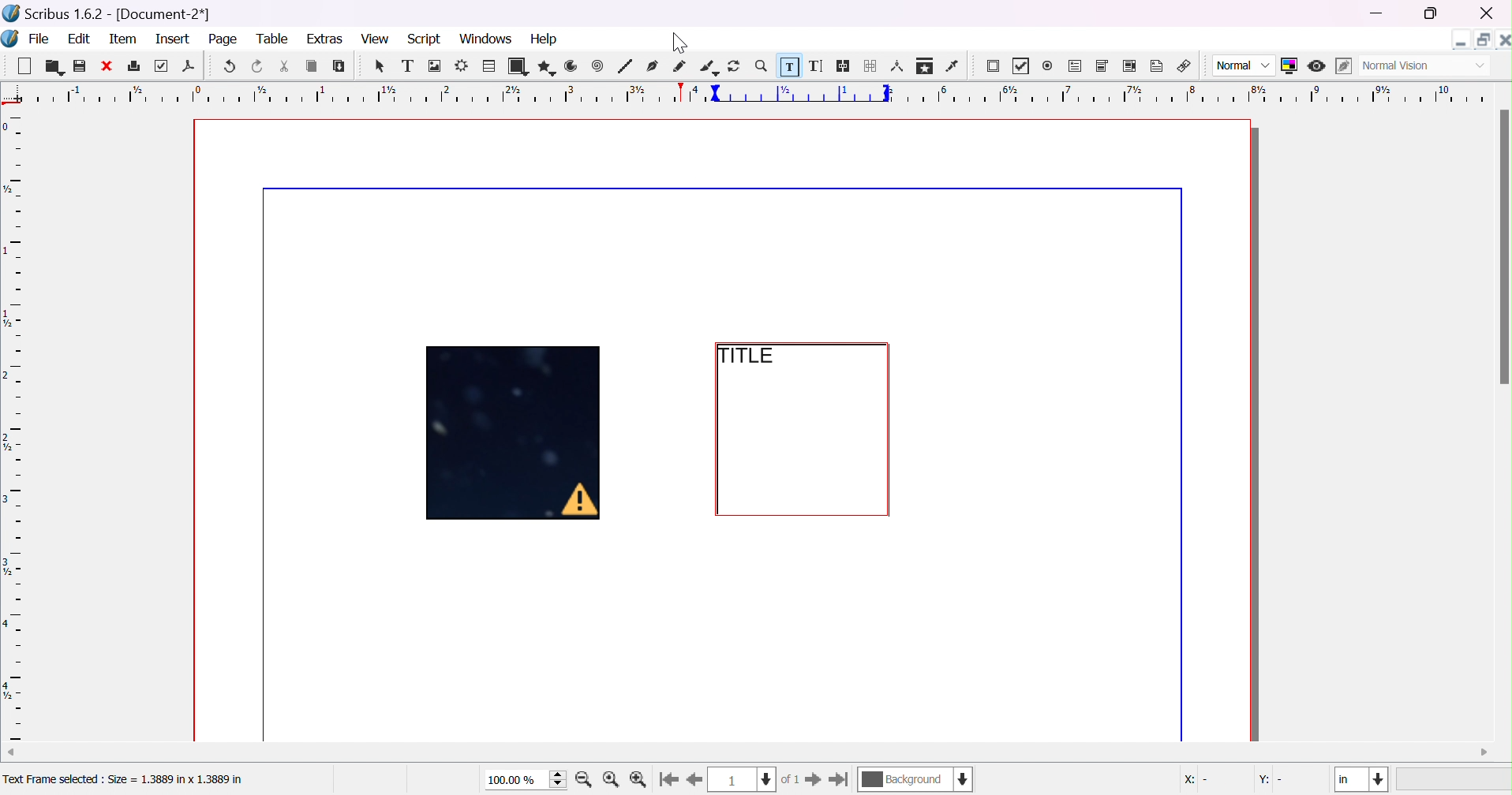  I want to click on cut, so click(283, 66).